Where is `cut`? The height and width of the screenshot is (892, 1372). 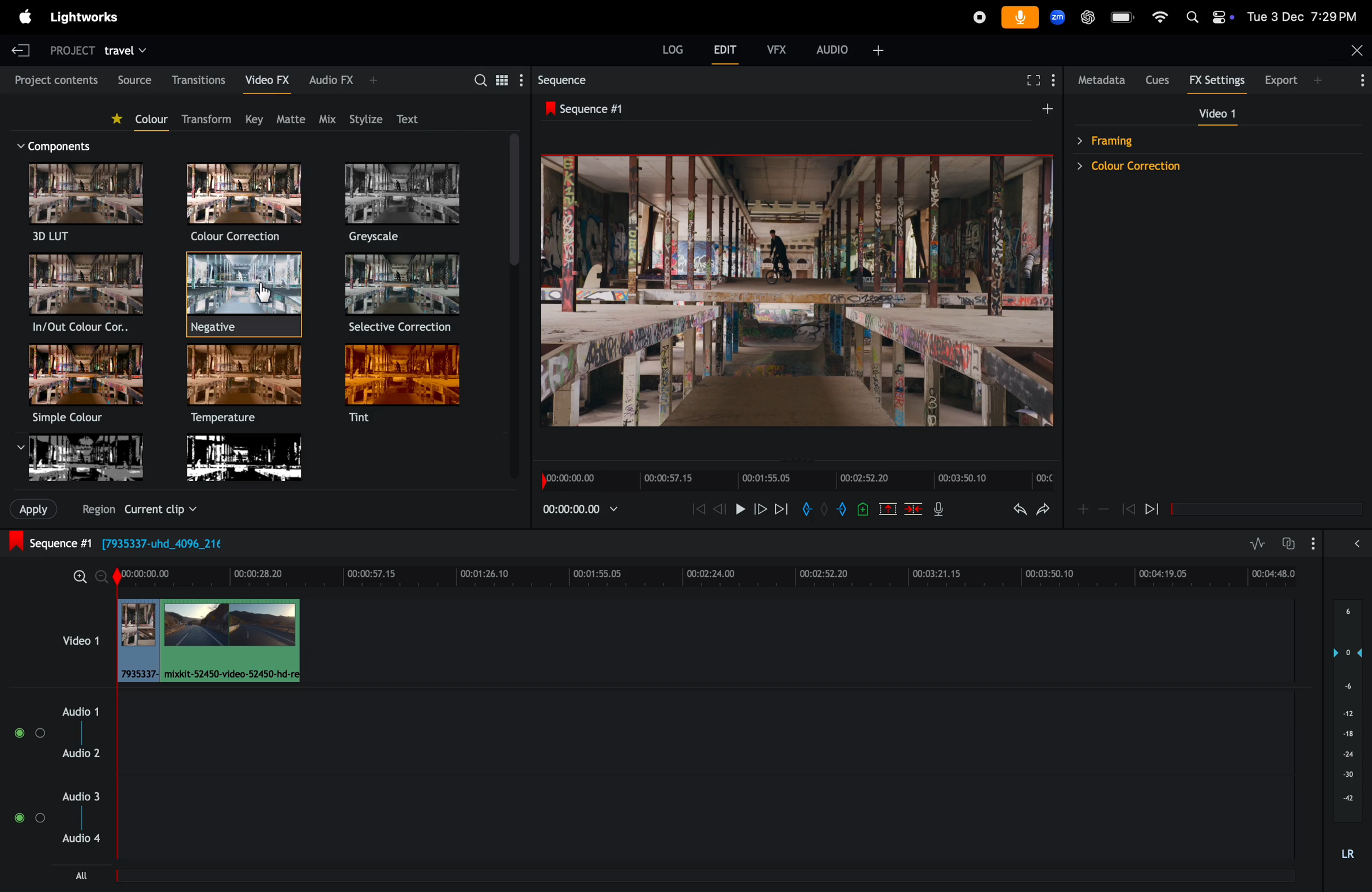
cut is located at coordinates (885, 508).